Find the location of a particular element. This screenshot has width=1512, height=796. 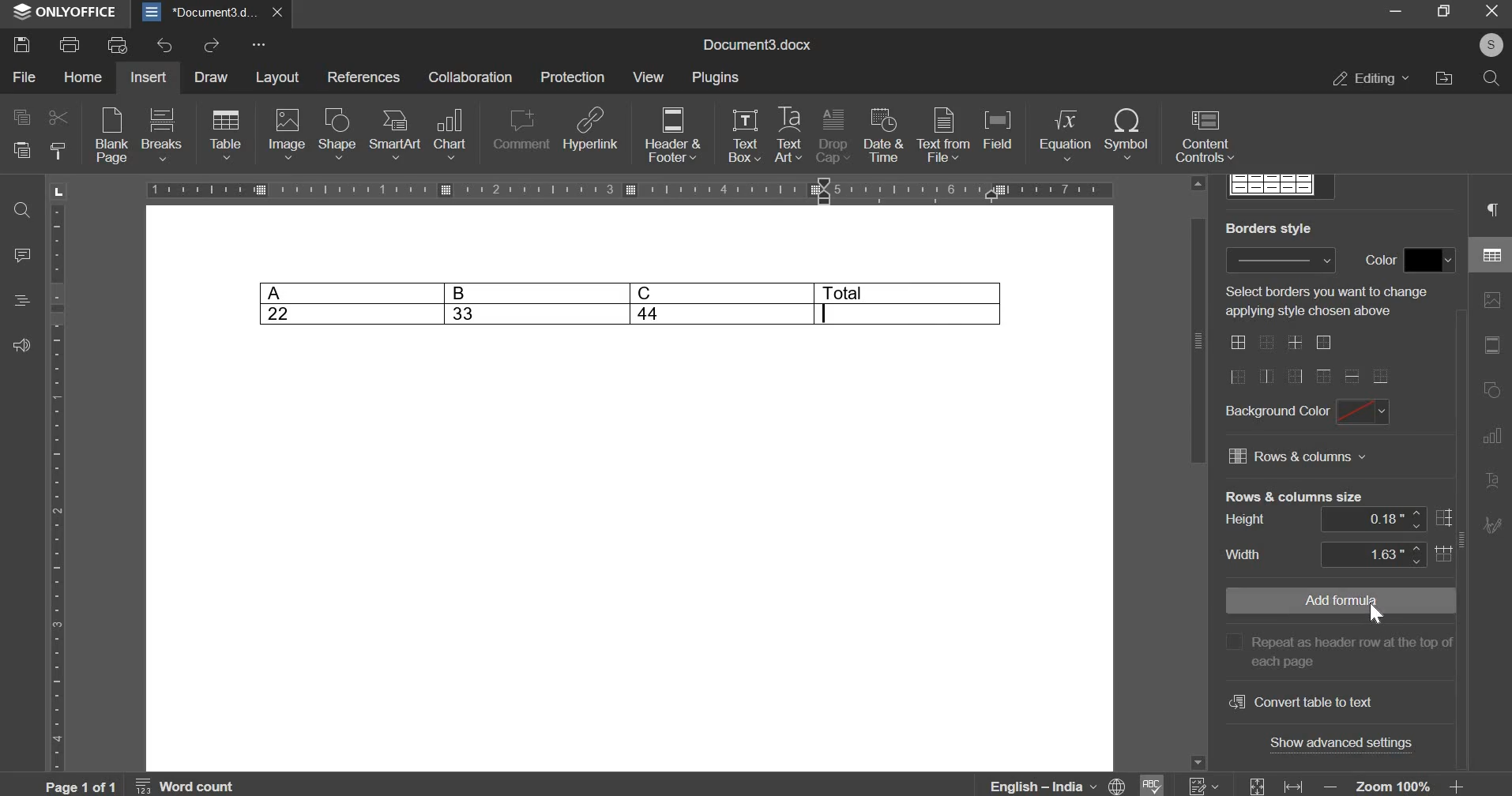

comment is located at coordinates (25, 257).